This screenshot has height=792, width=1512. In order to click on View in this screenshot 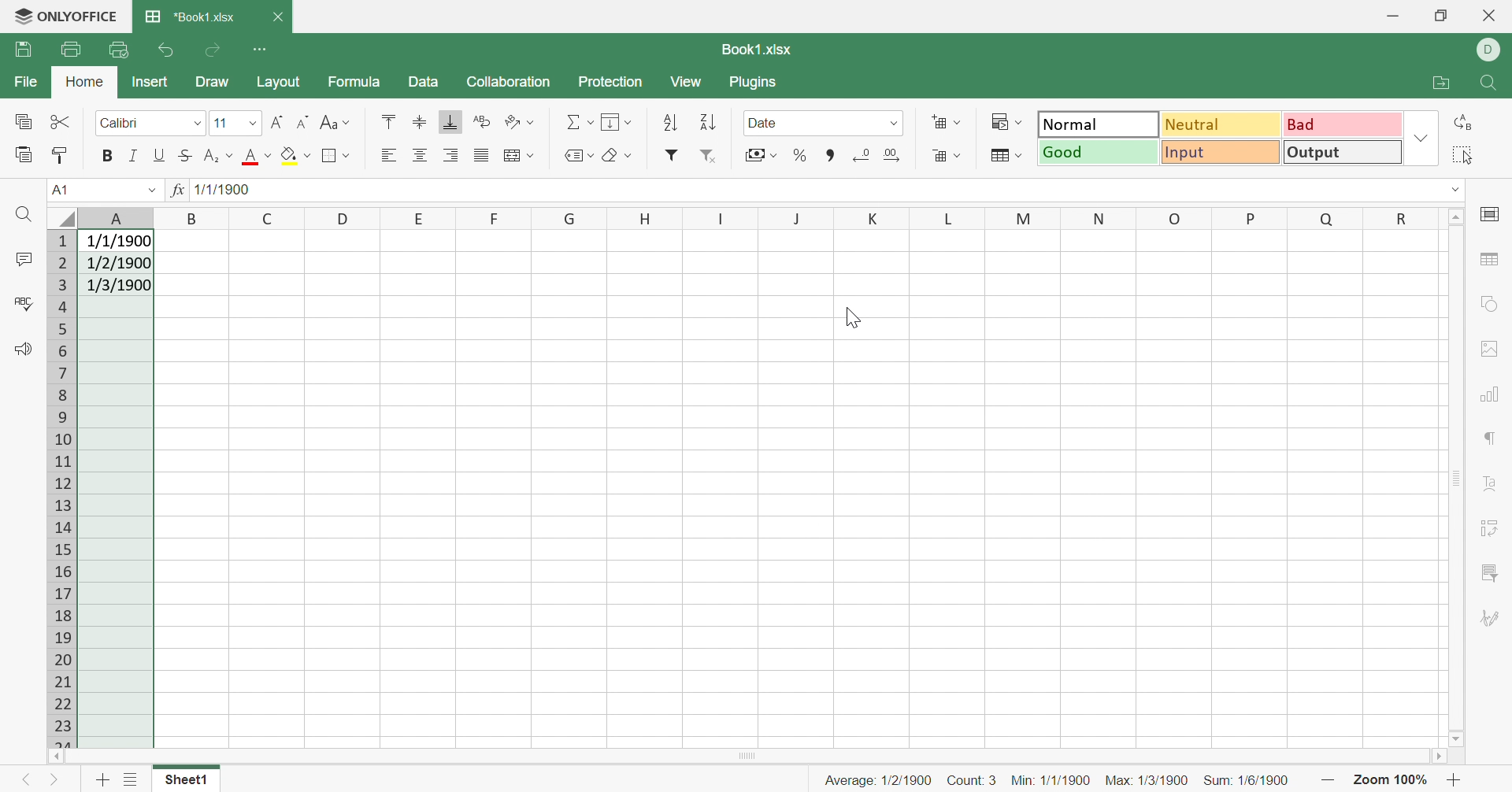, I will do `click(686, 82)`.